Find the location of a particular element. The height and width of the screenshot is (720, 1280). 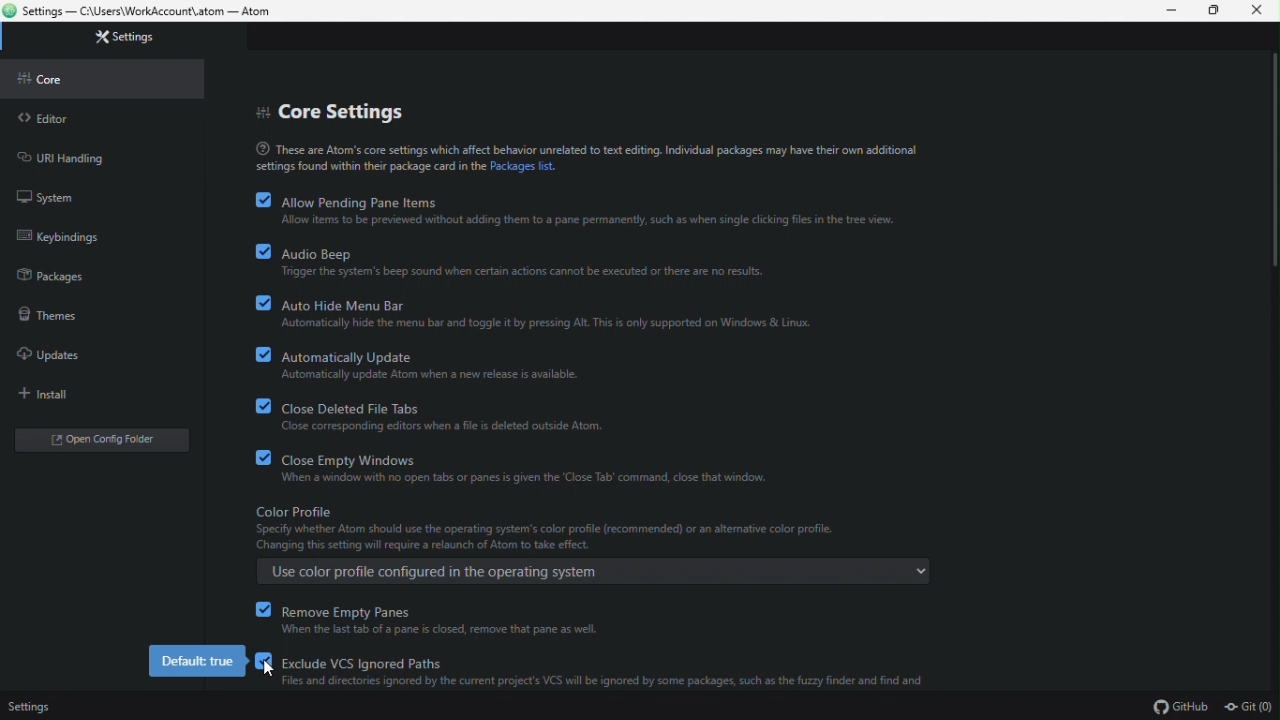

Git (0) is located at coordinates (1245, 707).